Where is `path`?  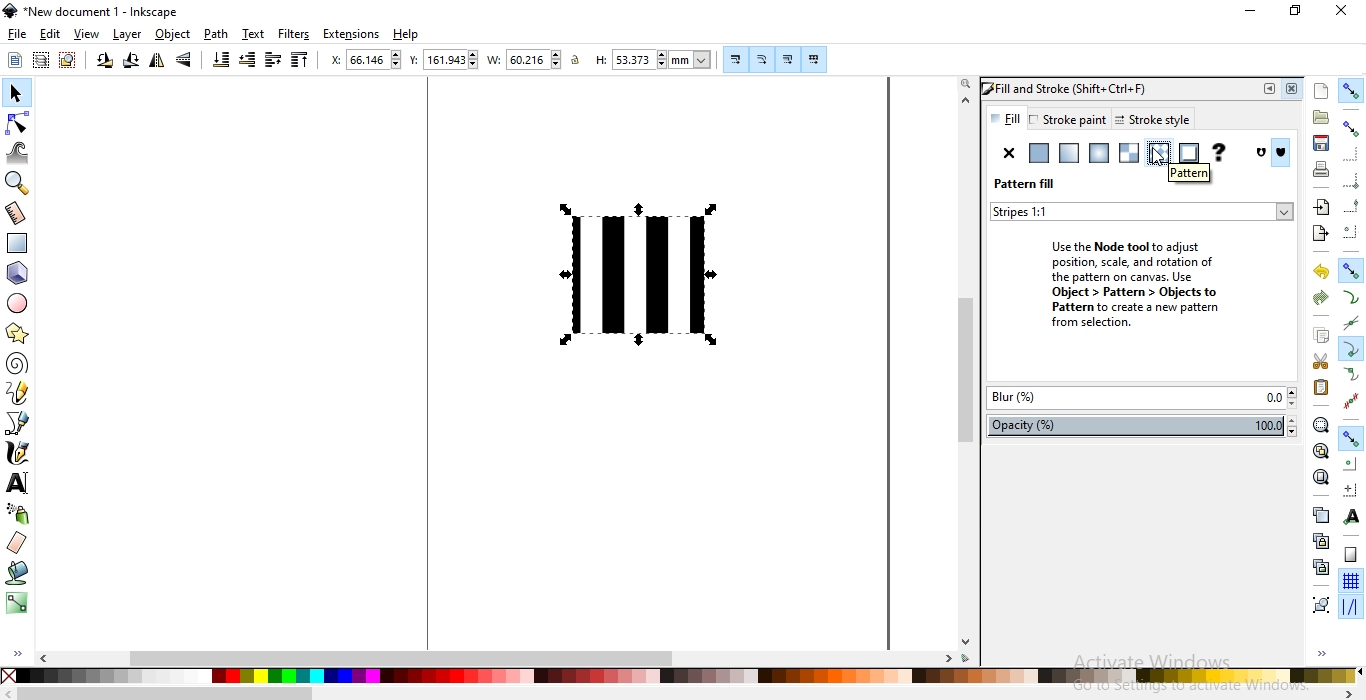
path is located at coordinates (216, 34).